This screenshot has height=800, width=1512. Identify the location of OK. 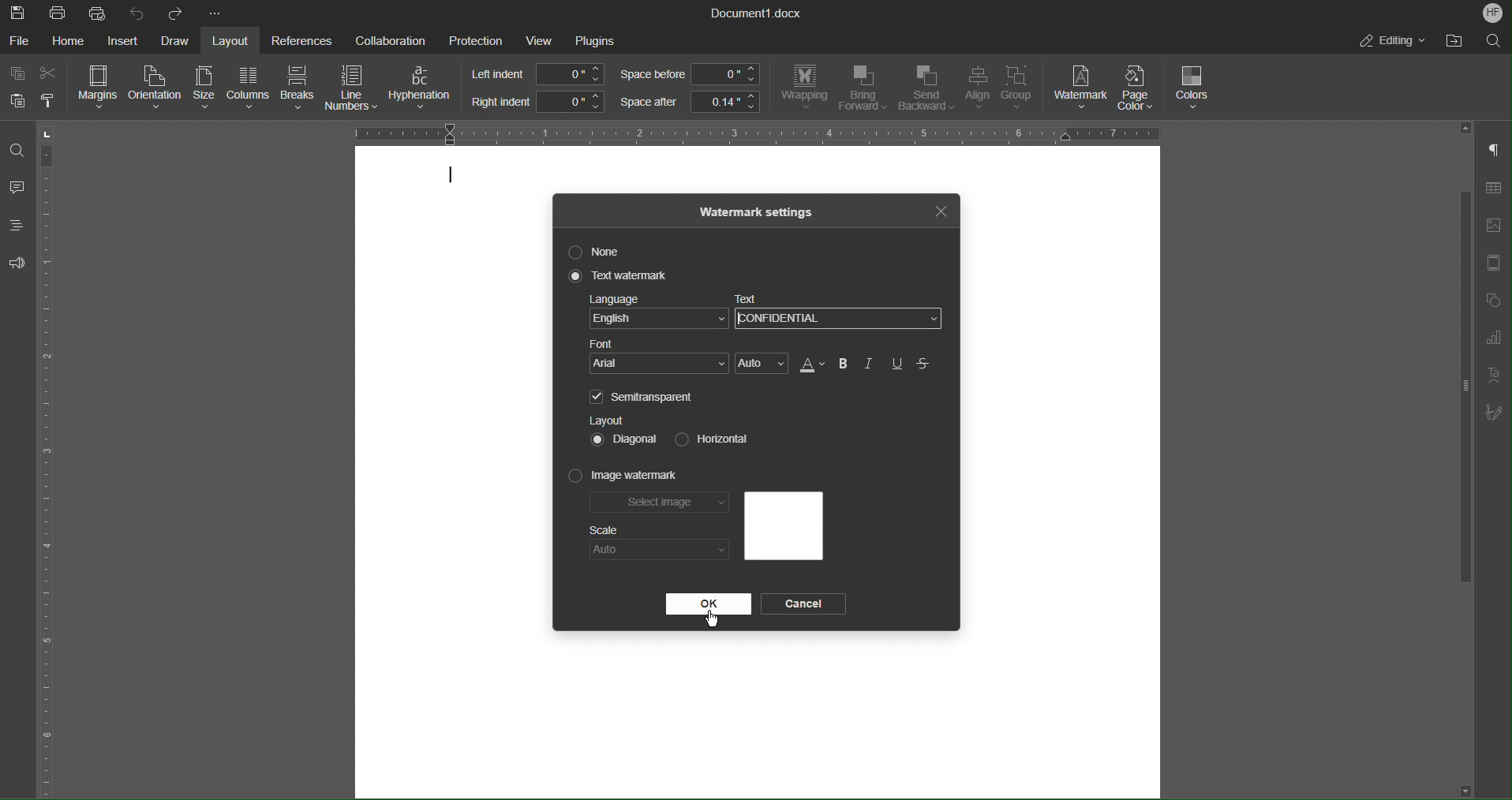
(708, 604).